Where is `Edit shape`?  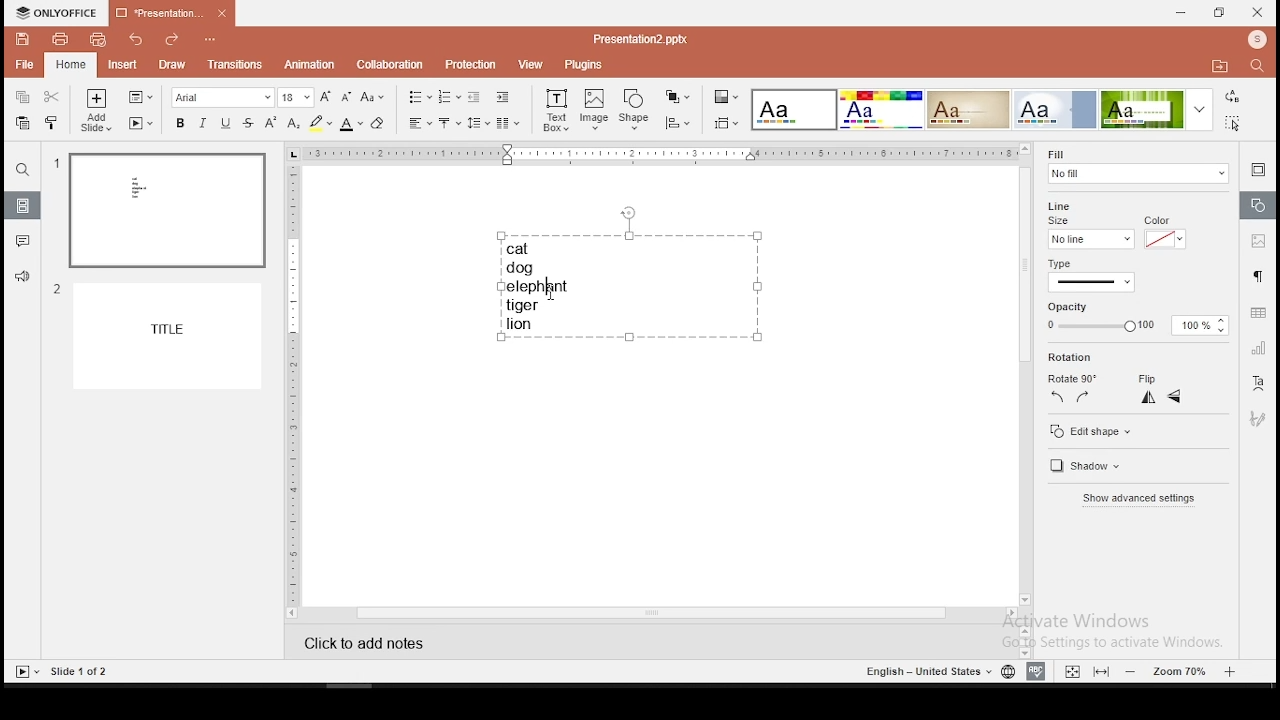
Edit shape is located at coordinates (1097, 465).